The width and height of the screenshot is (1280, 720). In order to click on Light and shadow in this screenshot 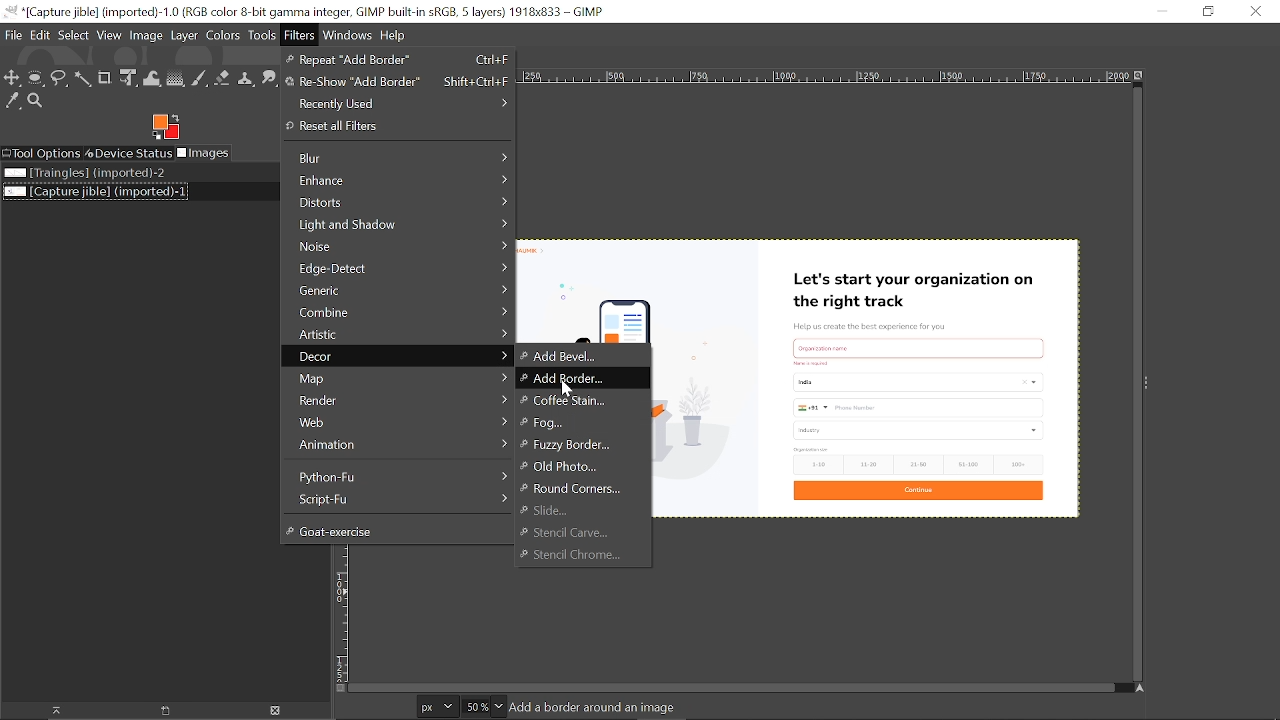, I will do `click(402, 224)`.